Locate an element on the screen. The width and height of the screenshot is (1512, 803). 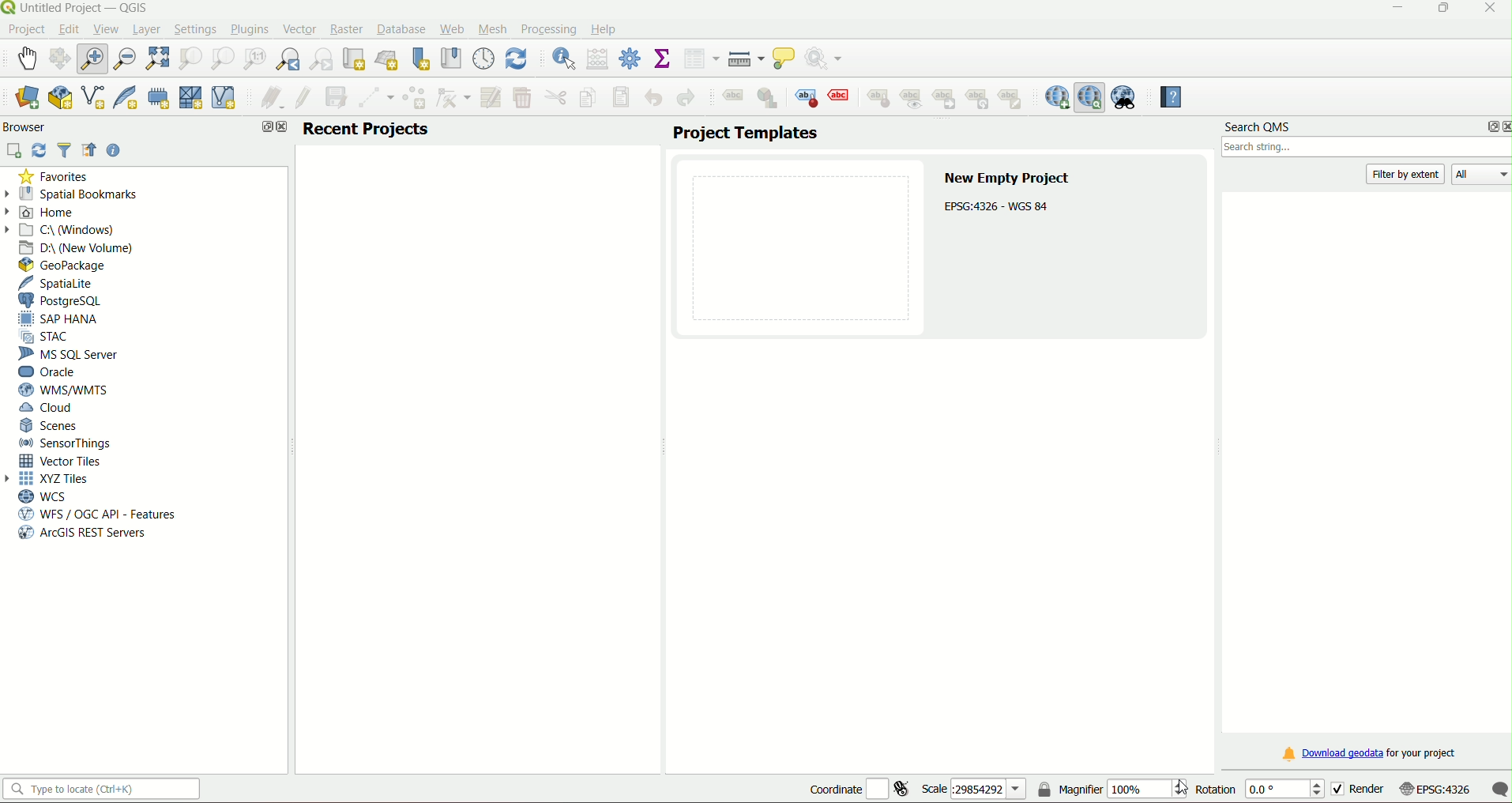
add selected layer is located at coordinates (15, 150).